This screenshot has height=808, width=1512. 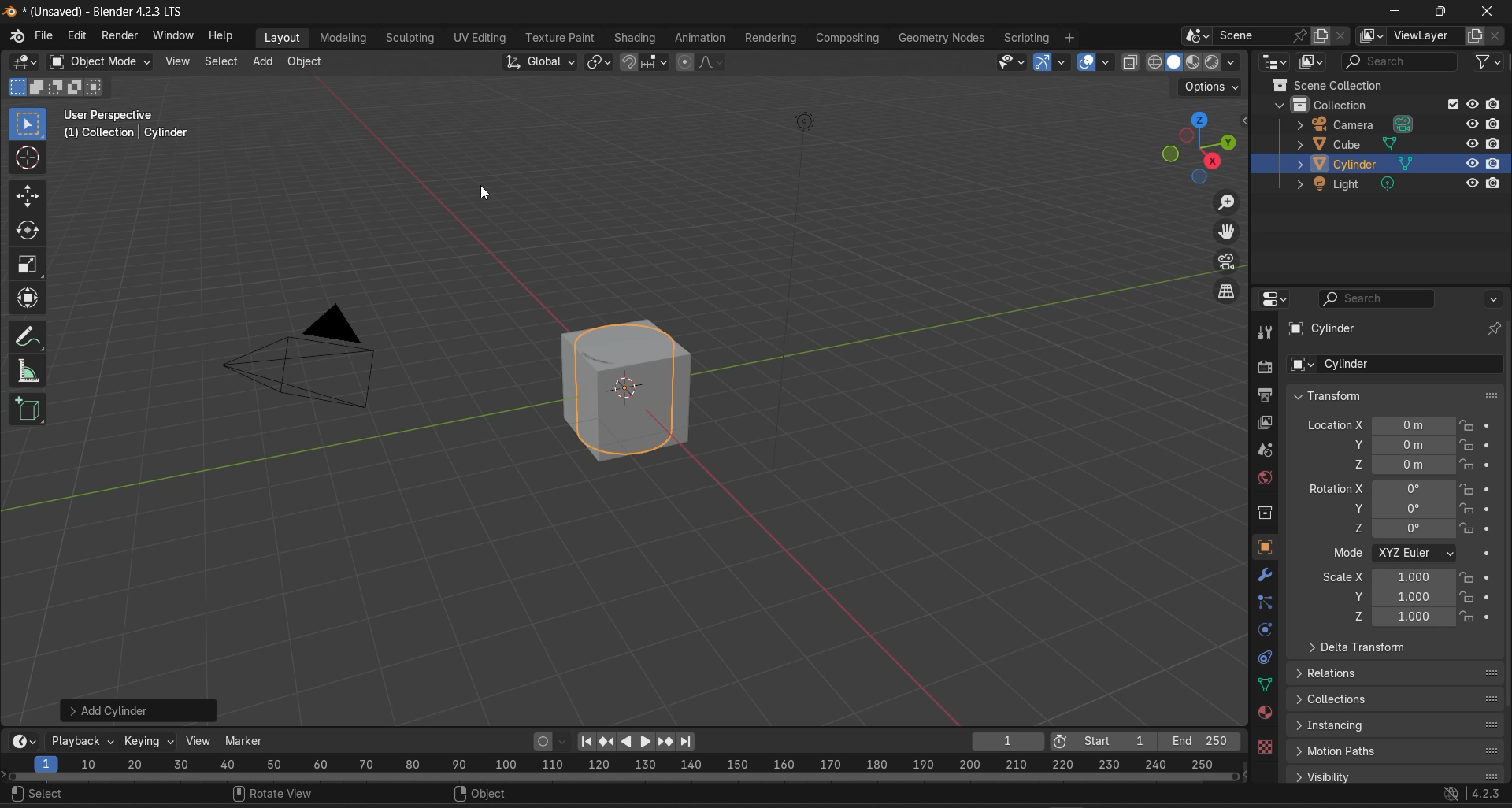 What do you see at coordinates (637, 37) in the screenshot?
I see `shading` at bounding box center [637, 37].